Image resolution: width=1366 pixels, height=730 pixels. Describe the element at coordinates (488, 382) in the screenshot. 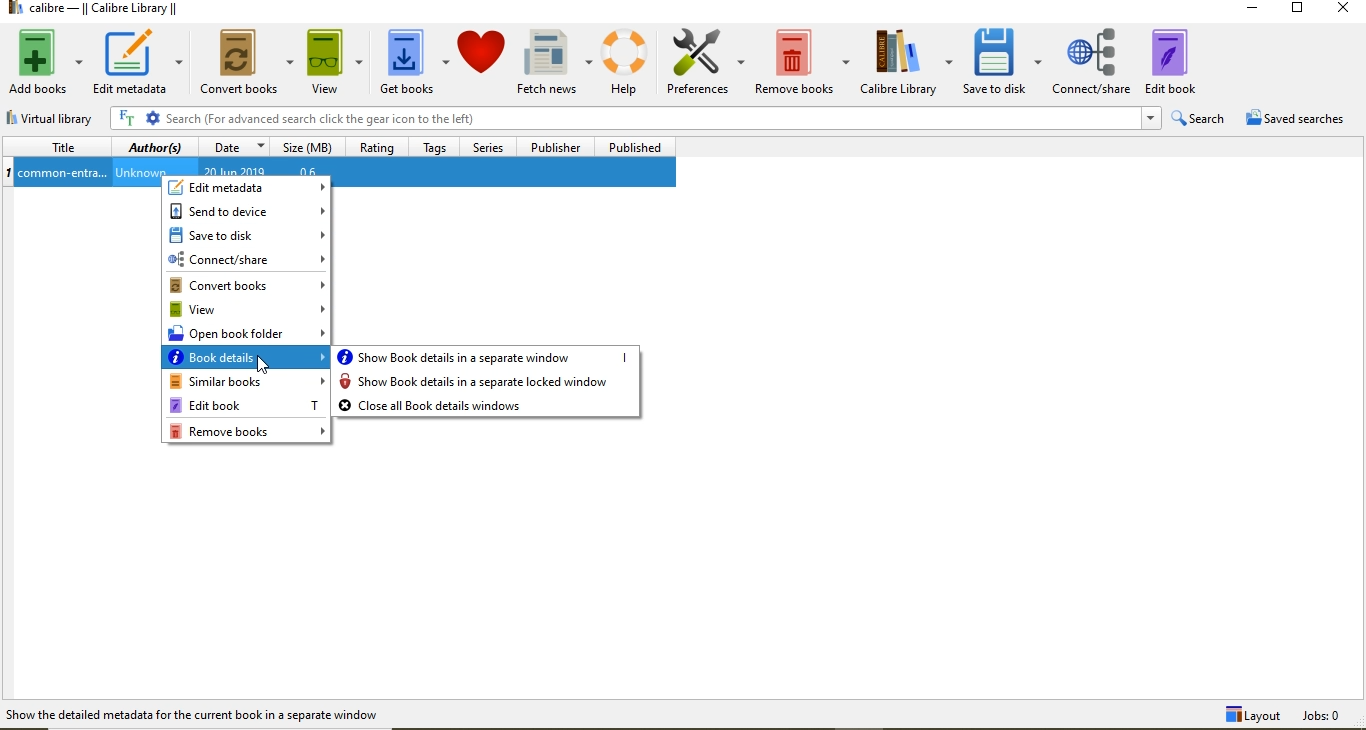

I see `show book details in a separate locked window` at that location.